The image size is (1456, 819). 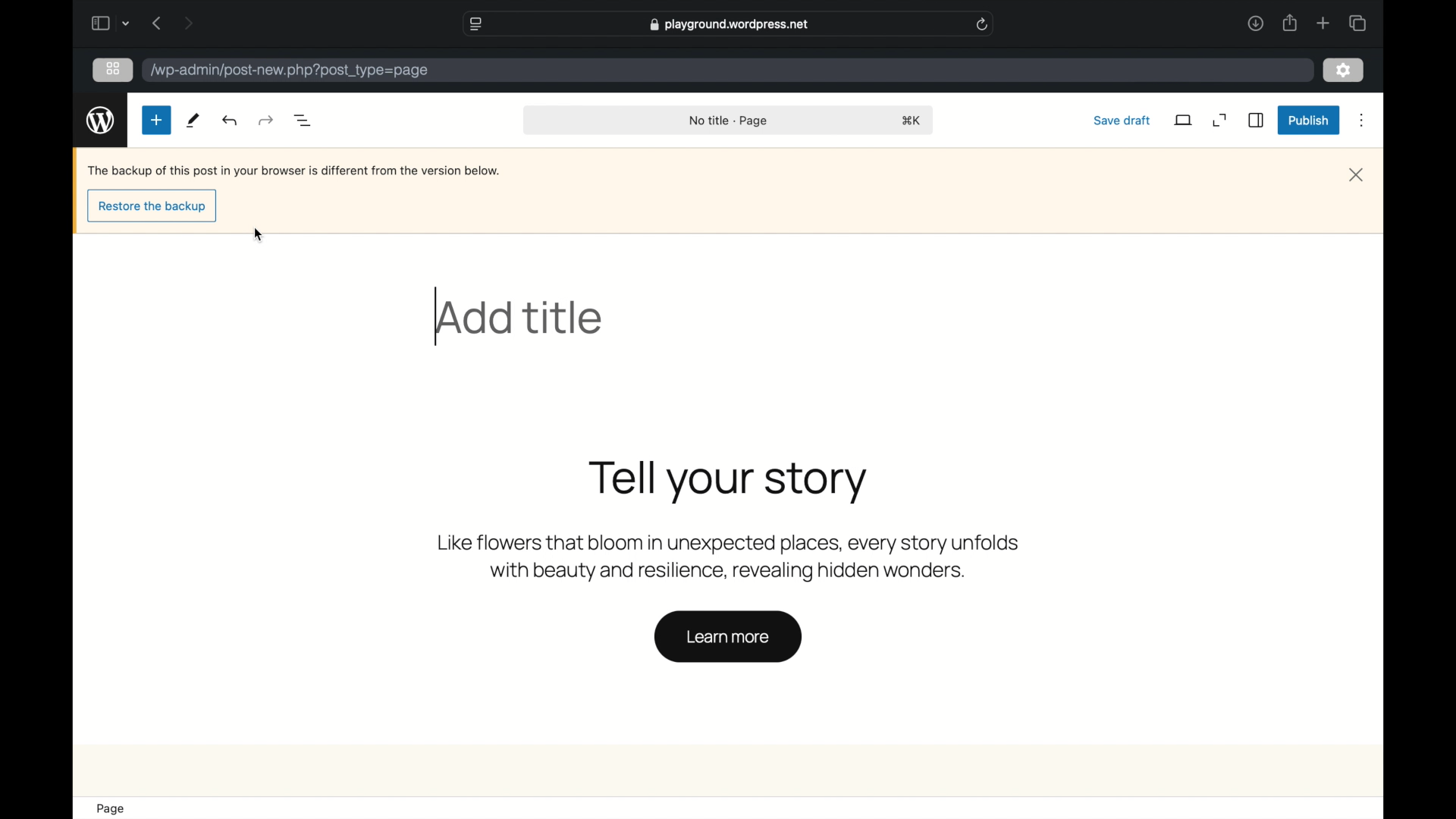 I want to click on publish, so click(x=1307, y=120).